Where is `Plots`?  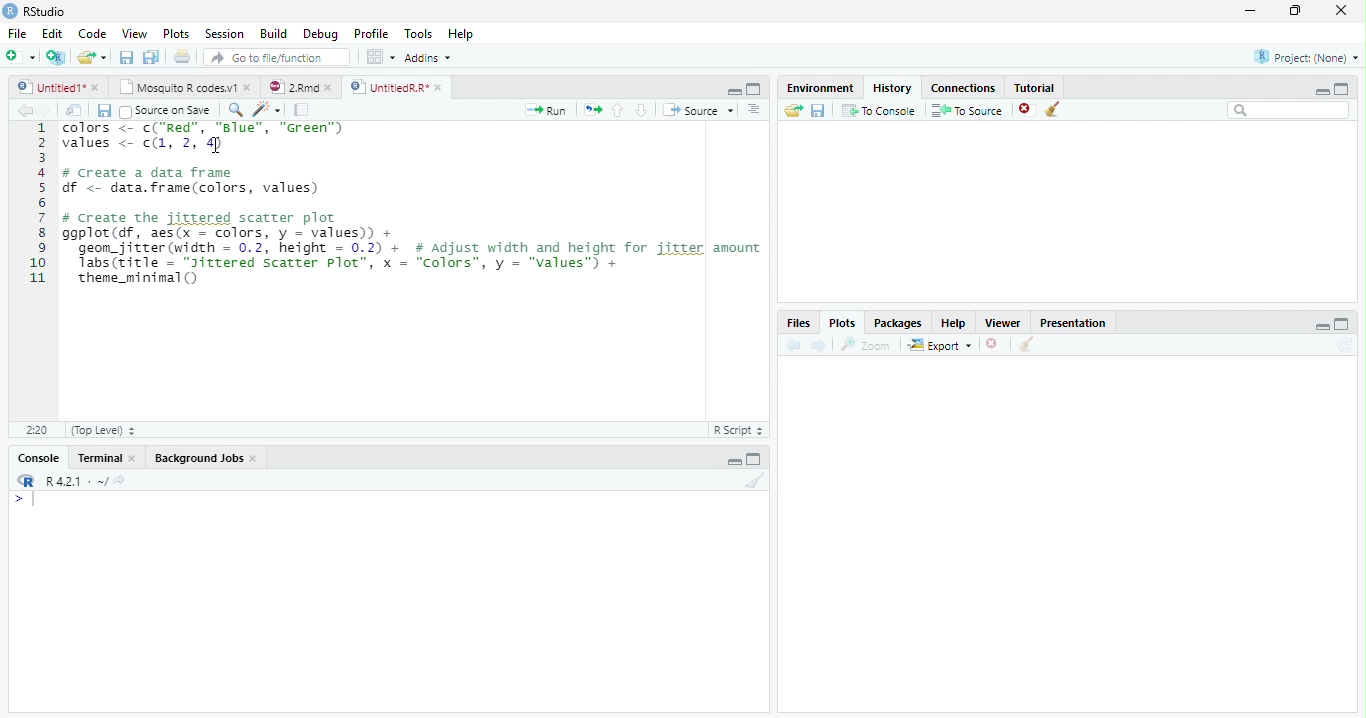
Plots is located at coordinates (177, 33).